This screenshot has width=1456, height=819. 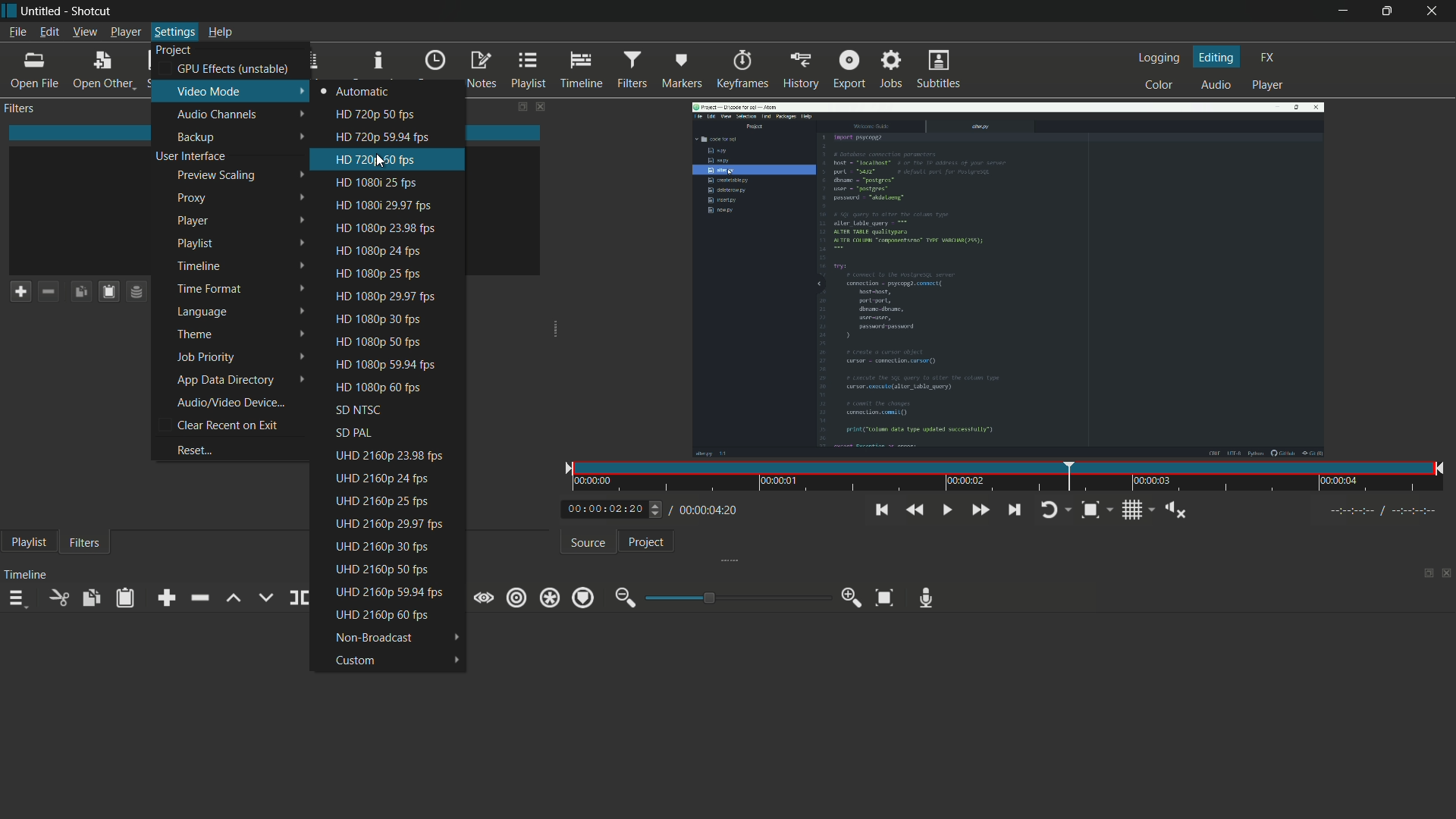 I want to click on uhd 2160p 50 fps, so click(x=394, y=570).